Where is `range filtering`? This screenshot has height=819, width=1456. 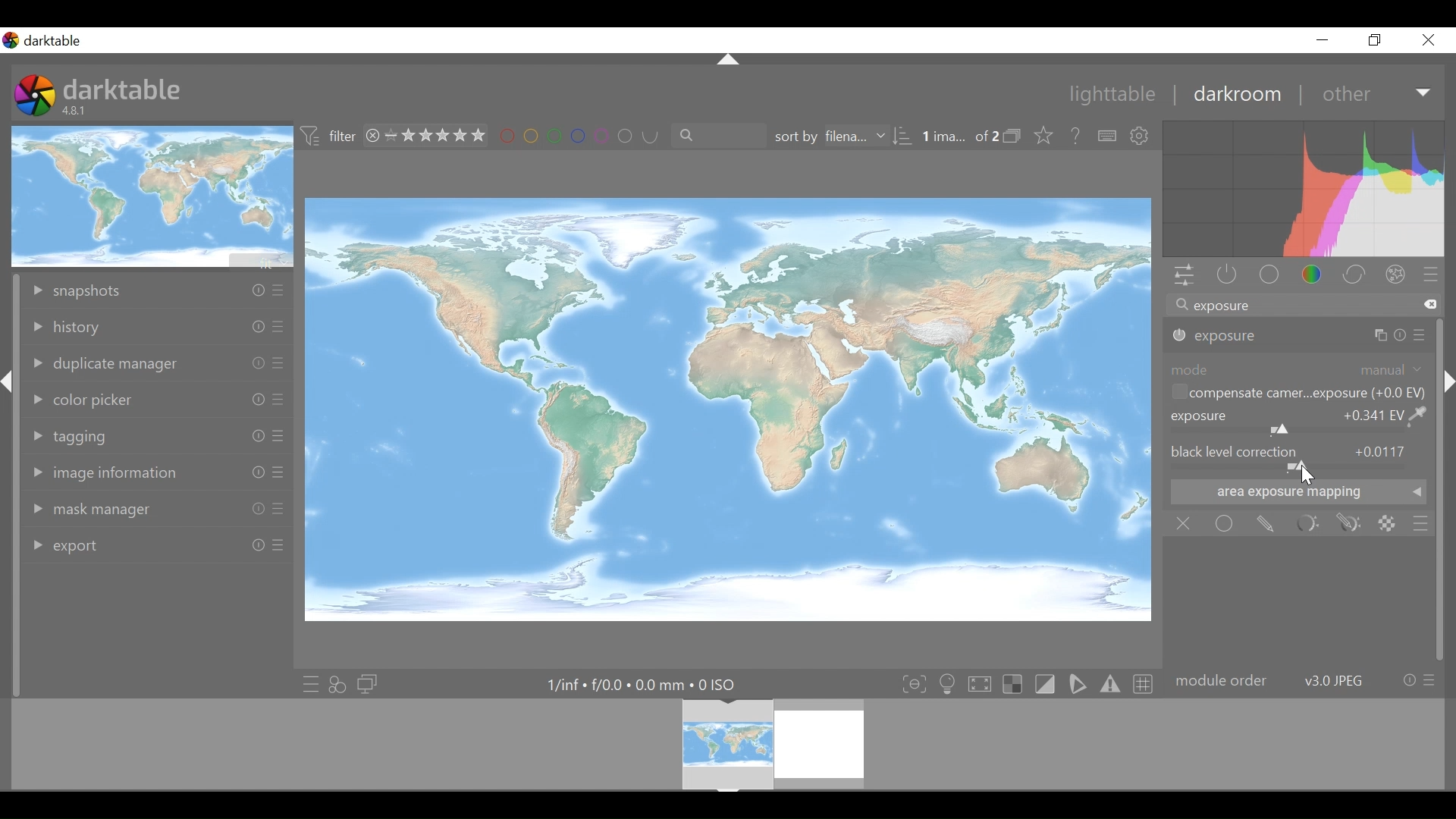
range filtering is located at coordinates (422, 136).